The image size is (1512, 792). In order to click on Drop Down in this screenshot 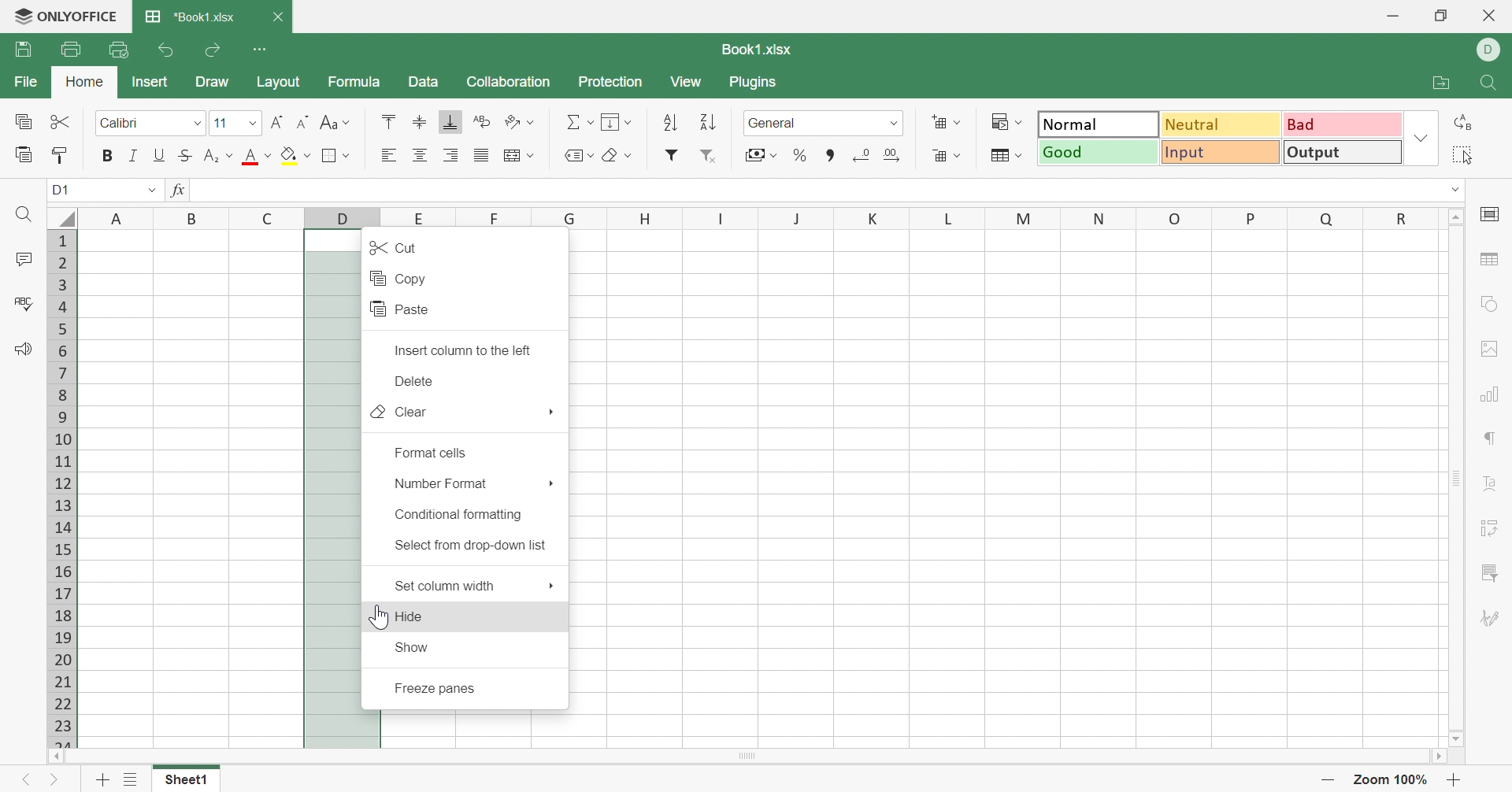, I will do `click(628, 122)`.